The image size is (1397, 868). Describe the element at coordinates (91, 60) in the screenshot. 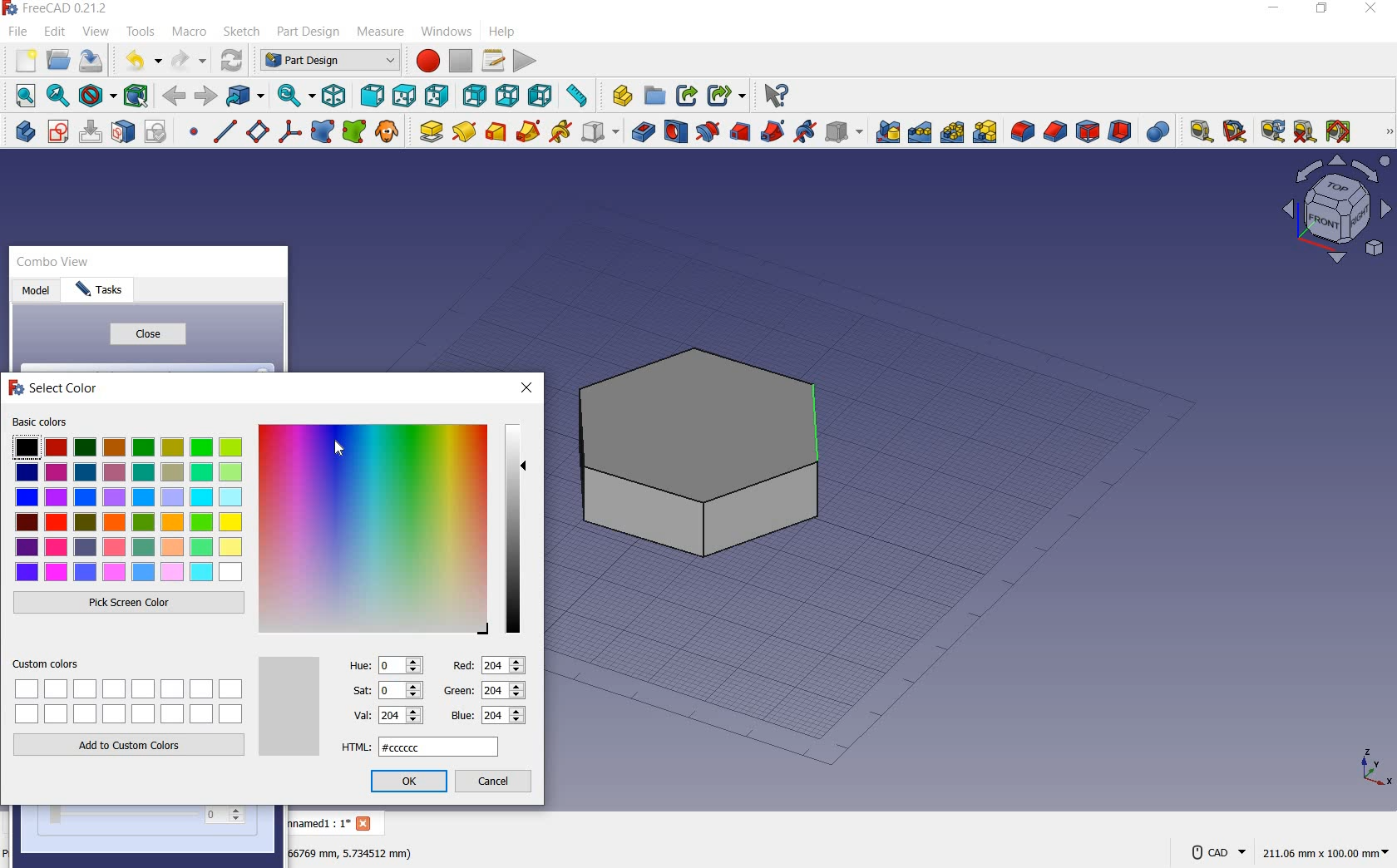

I see `save` at that location.